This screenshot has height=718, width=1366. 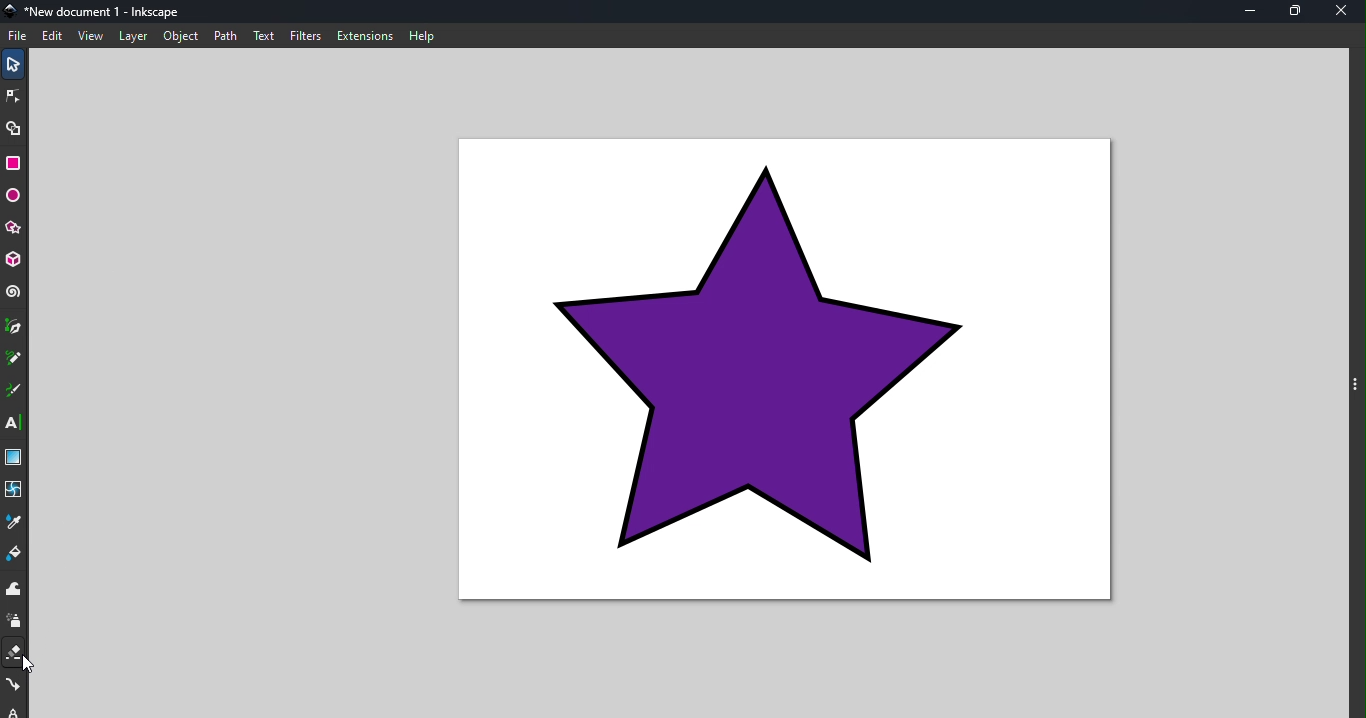 What do you see at coordinates (15, 95) in the screenshot?
I see `node tool` at bounding box center [15, 95].